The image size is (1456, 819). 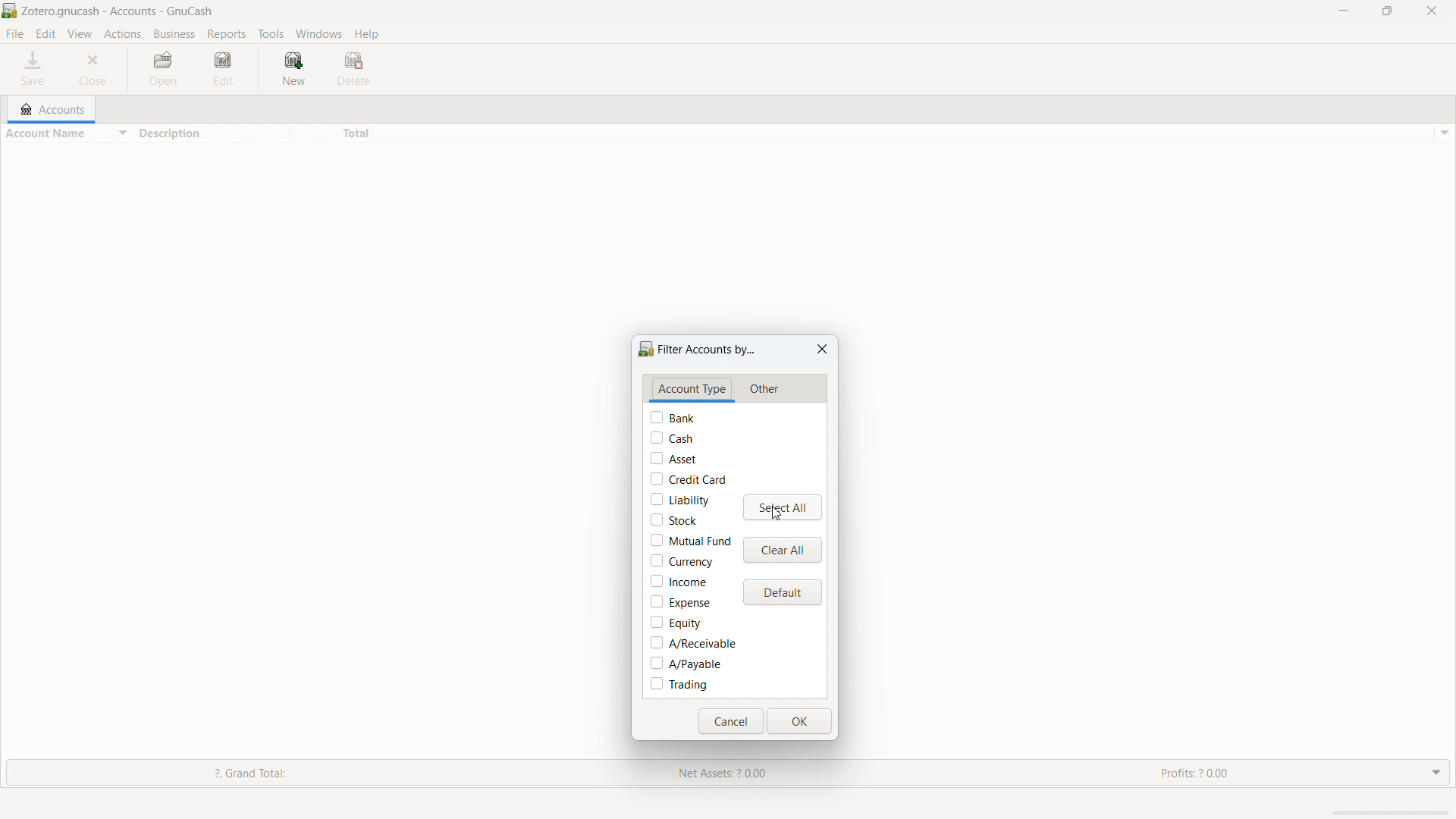 I want to click on select all, so click(x=781, y=508).